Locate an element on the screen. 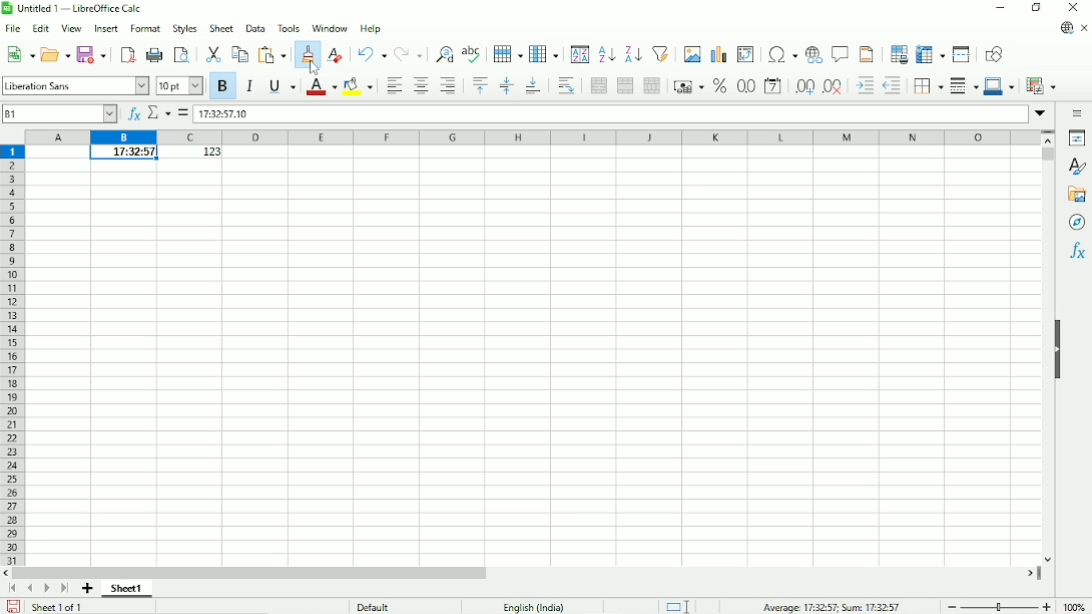 This screenshot has width=1092, height=614. Save is located at coordinates (91, 54).